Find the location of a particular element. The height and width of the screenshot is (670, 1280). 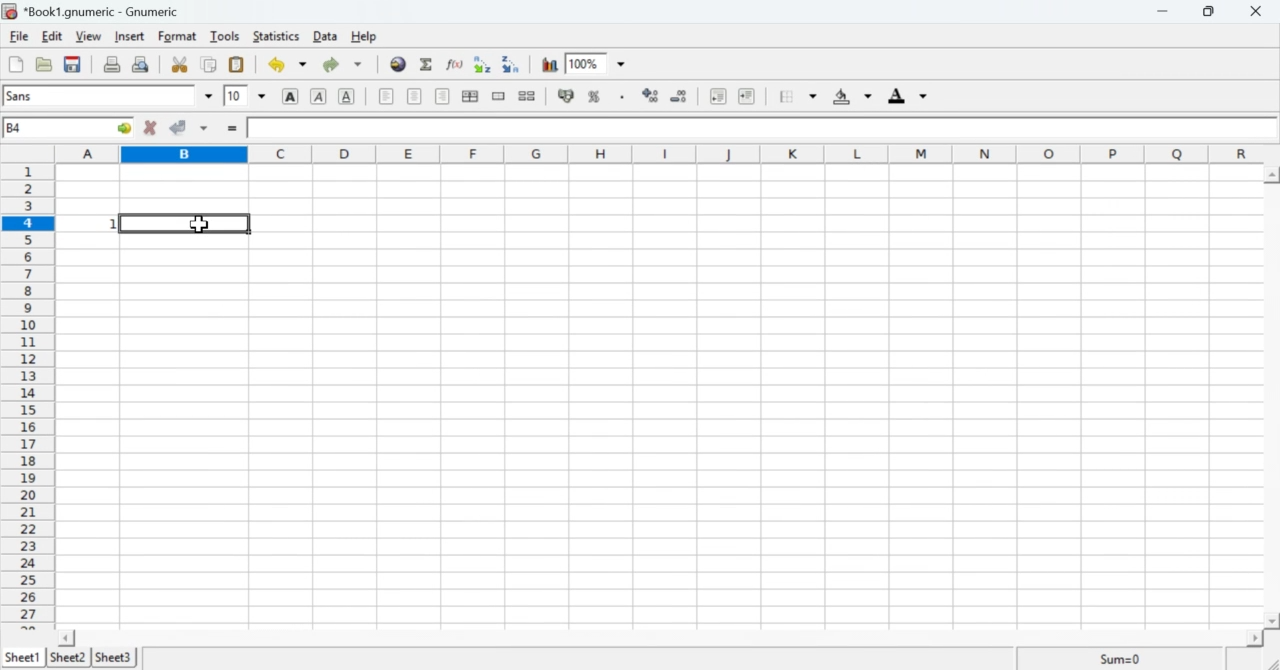

Data is located at coordinates (327, 37).